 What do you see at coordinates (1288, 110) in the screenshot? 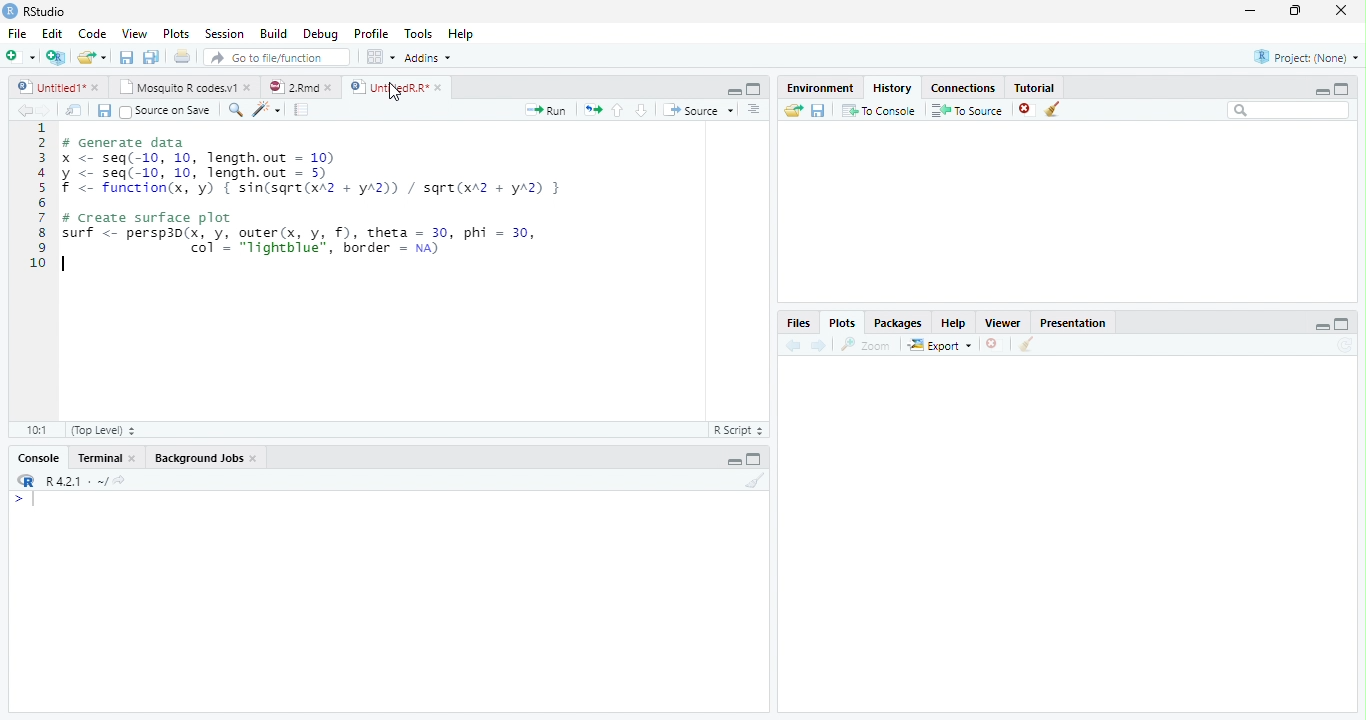
I see `Search bar` at bounding box center [1288, 110].